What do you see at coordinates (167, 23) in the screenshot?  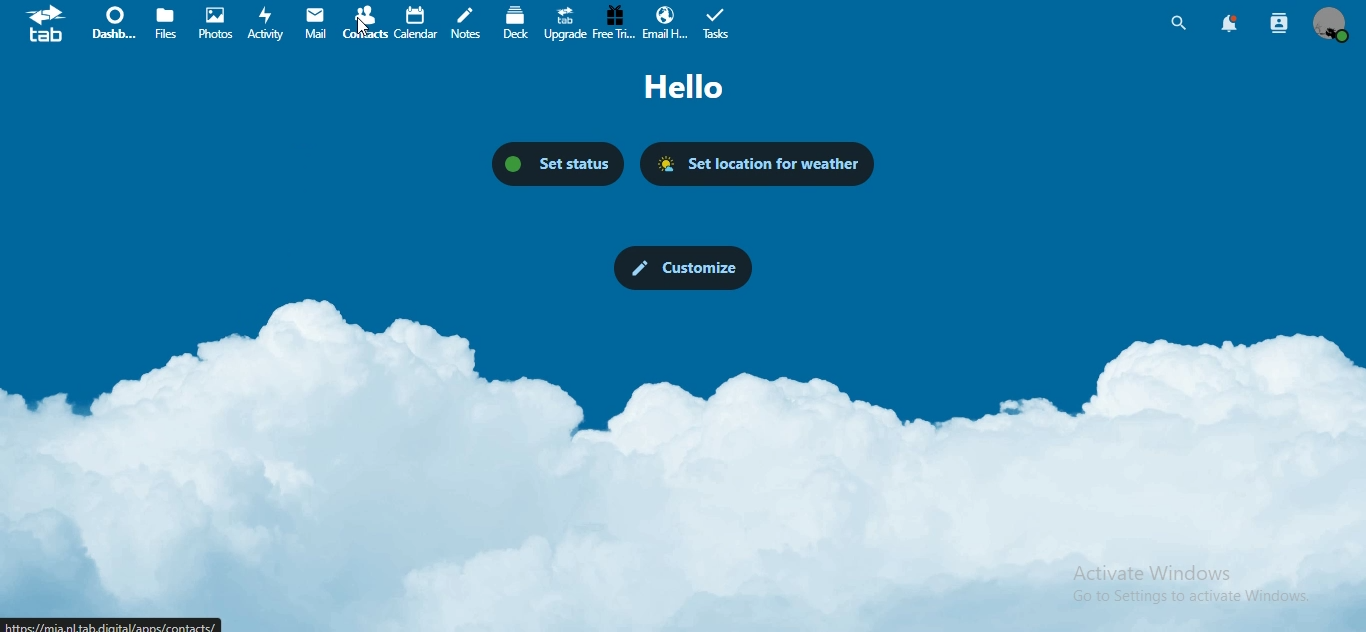 I see `files` at bounding box center [167, 23].